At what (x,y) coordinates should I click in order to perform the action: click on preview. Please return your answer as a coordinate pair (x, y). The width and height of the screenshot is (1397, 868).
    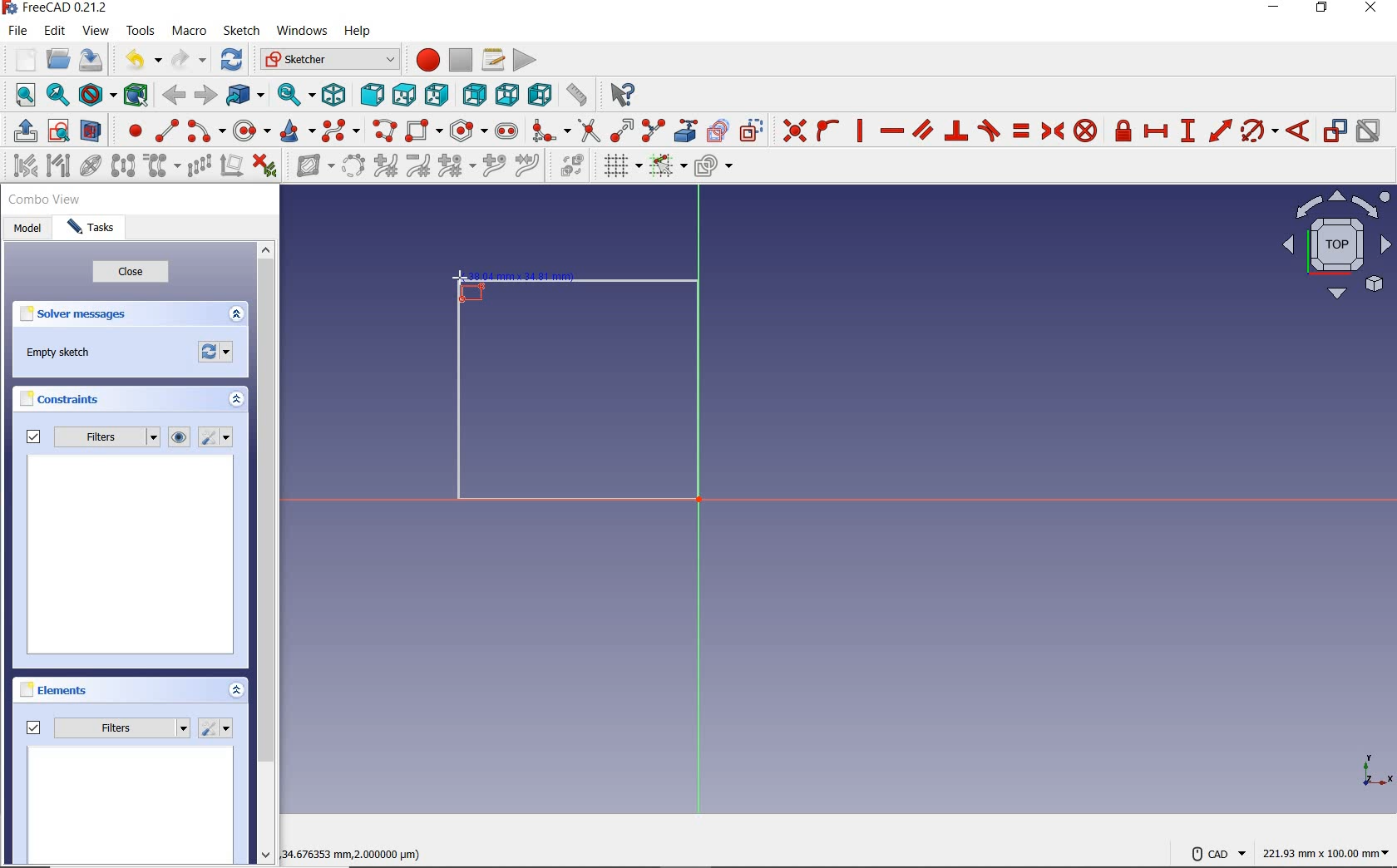
    Looking at the image, I should click on (132, 557).